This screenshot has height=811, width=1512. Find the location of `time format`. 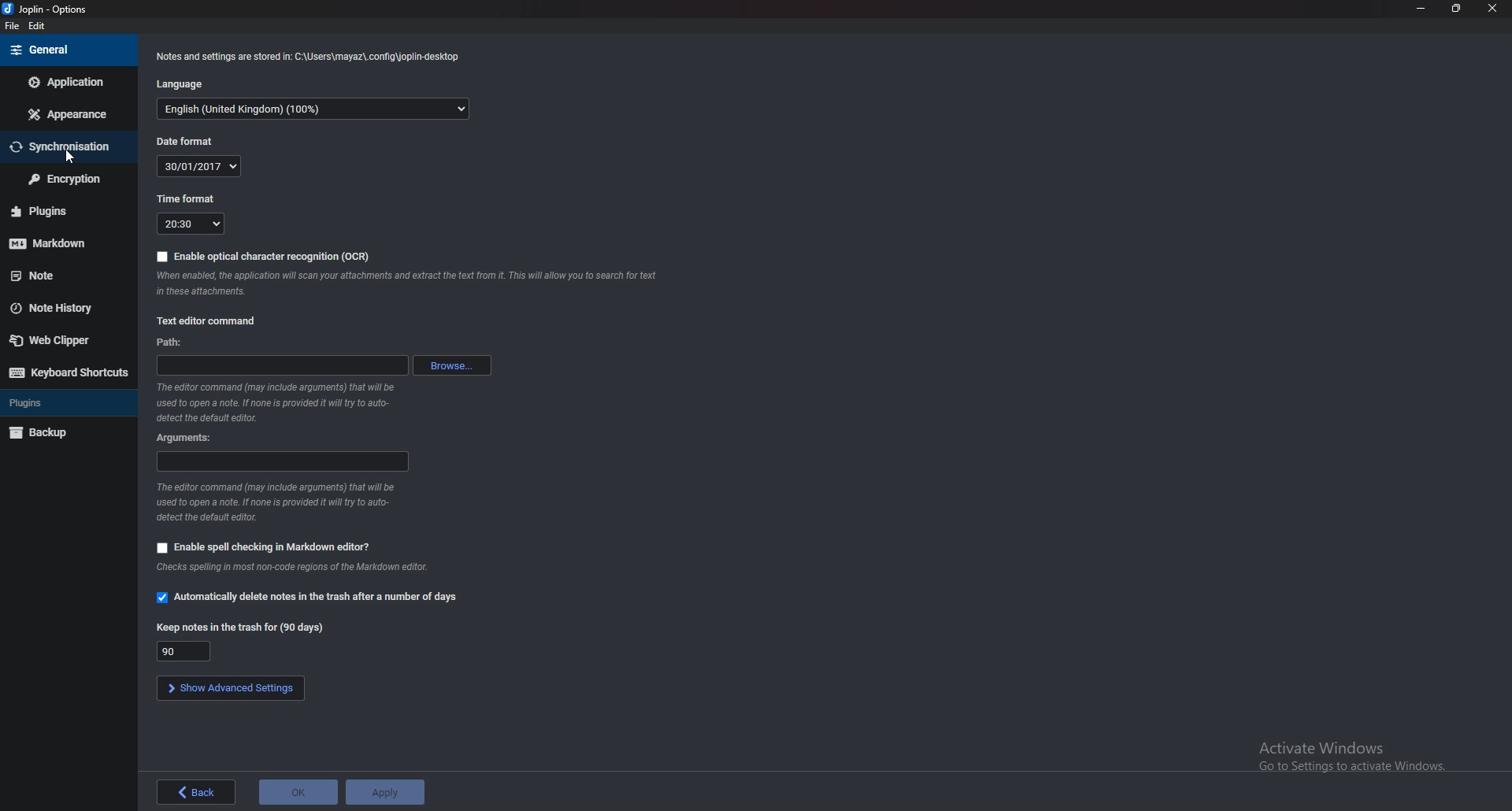

time format is located at coordinates (191, 222).